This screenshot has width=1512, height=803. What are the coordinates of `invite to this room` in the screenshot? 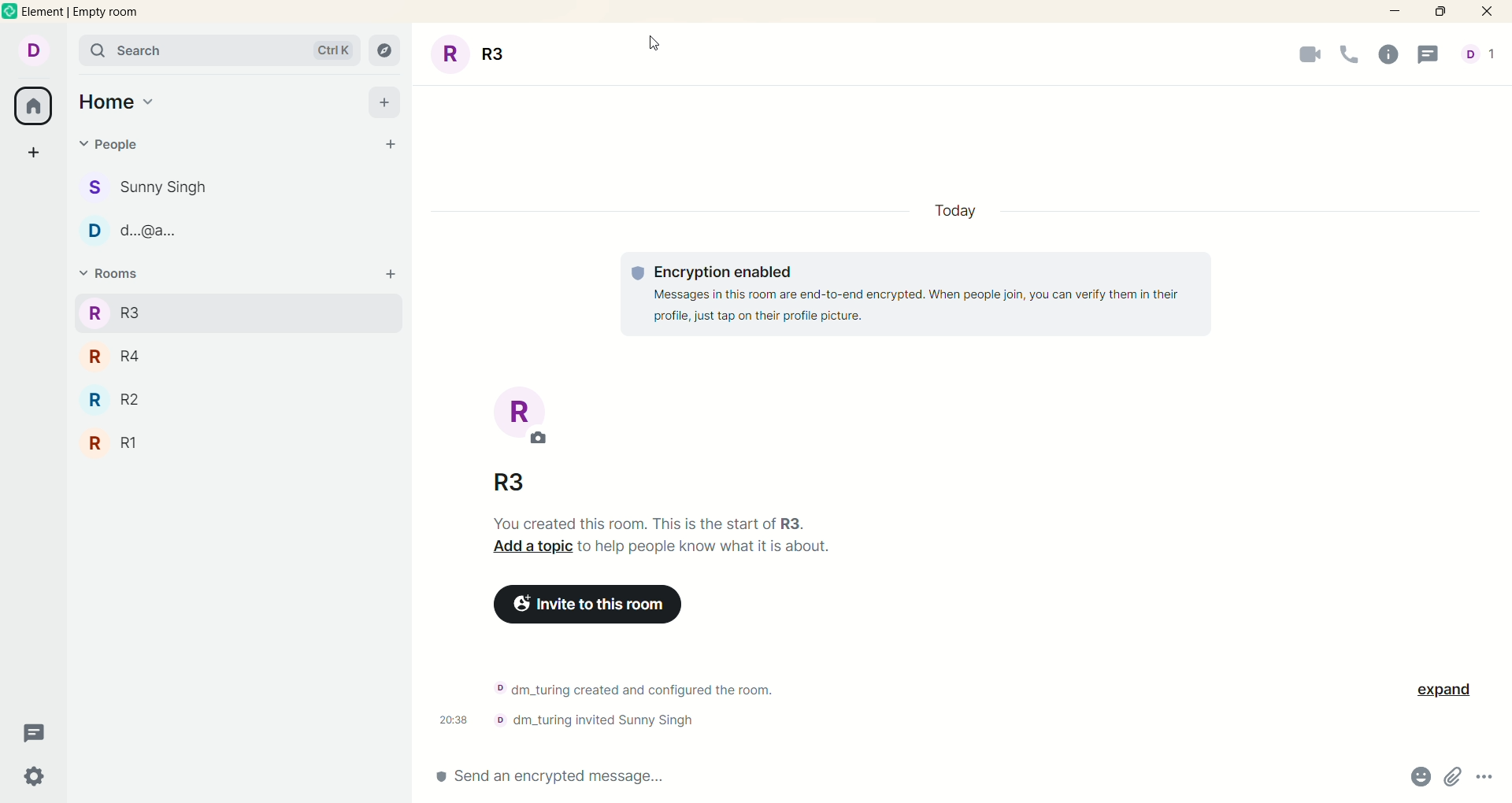 It's located at (590, 602).